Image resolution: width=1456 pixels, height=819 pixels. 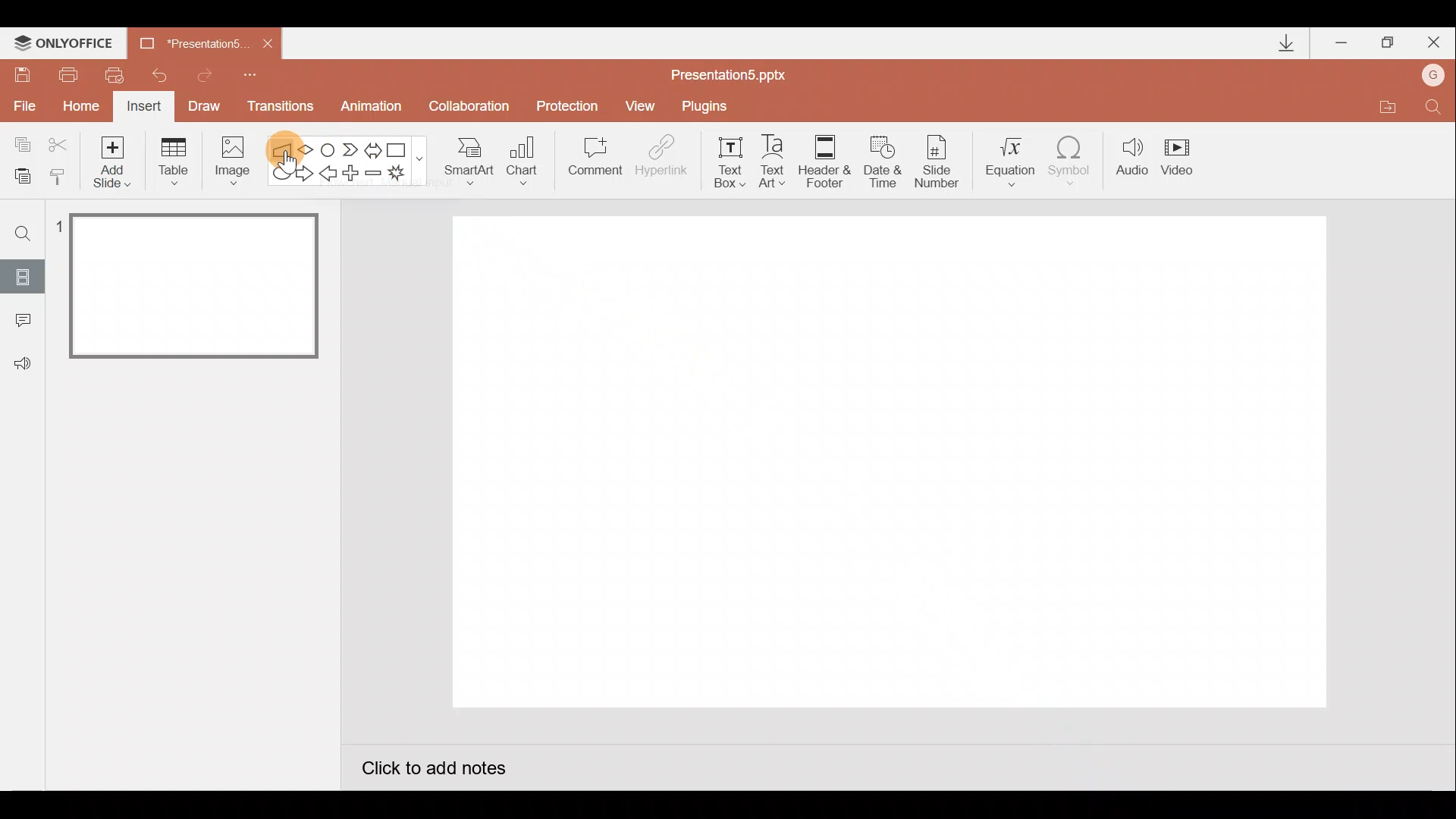 What do you see at coordinates (522, 158) in the screenshot?
I see `Chart` at bounding box center [522, 158].